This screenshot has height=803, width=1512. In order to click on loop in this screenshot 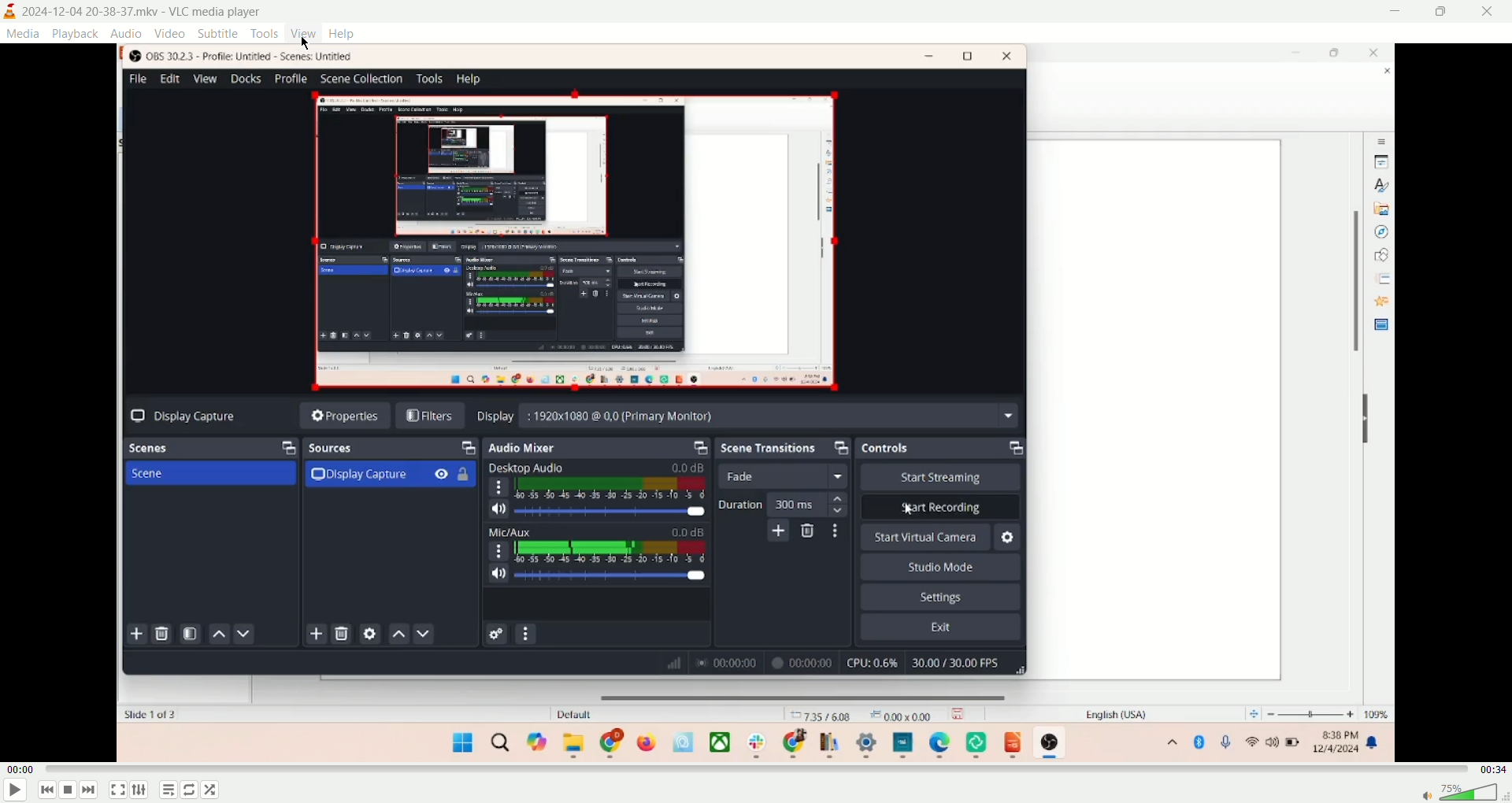, I will do `click(187, 791)`.